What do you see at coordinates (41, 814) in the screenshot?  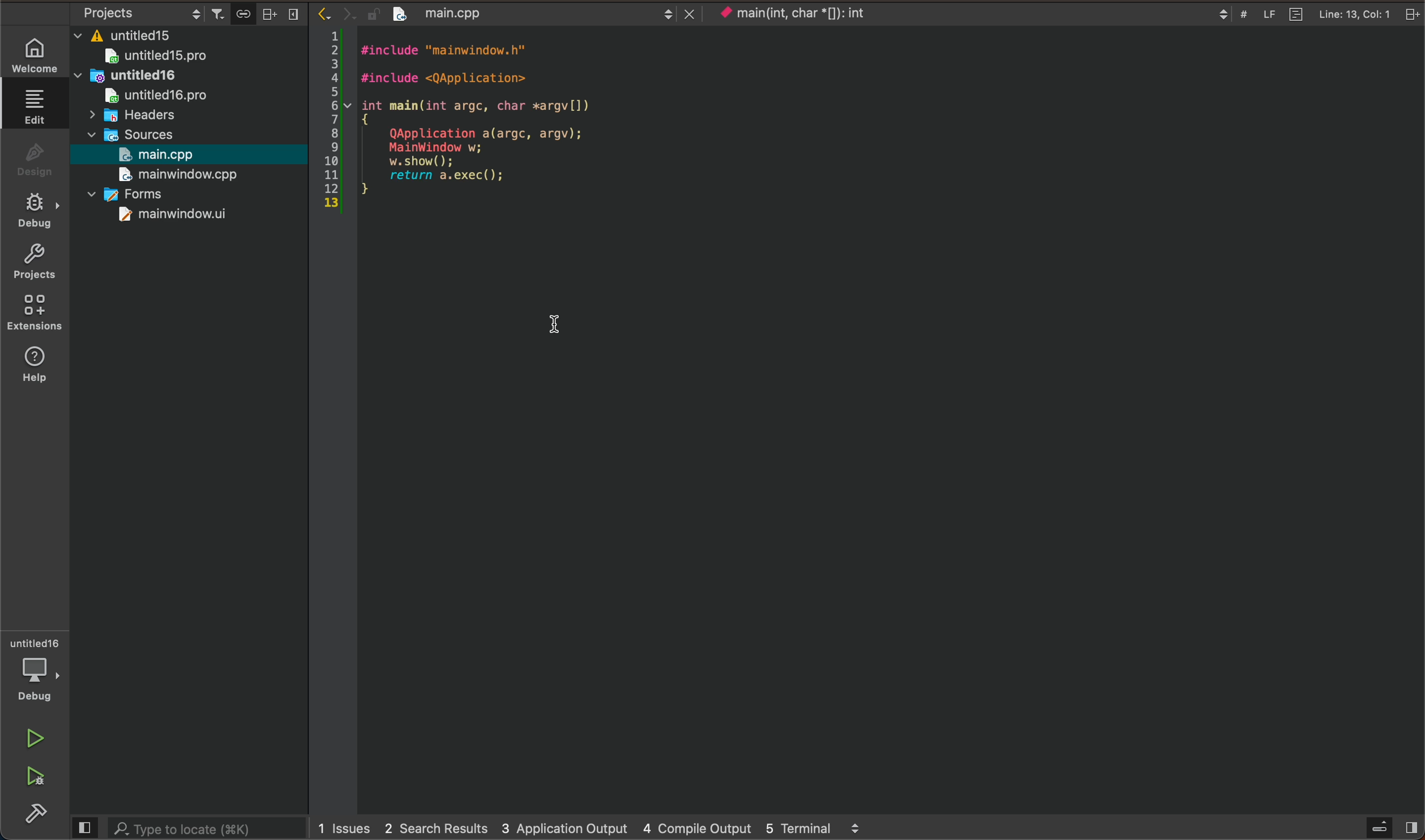 I see `build` at bounding box center [41, 814].